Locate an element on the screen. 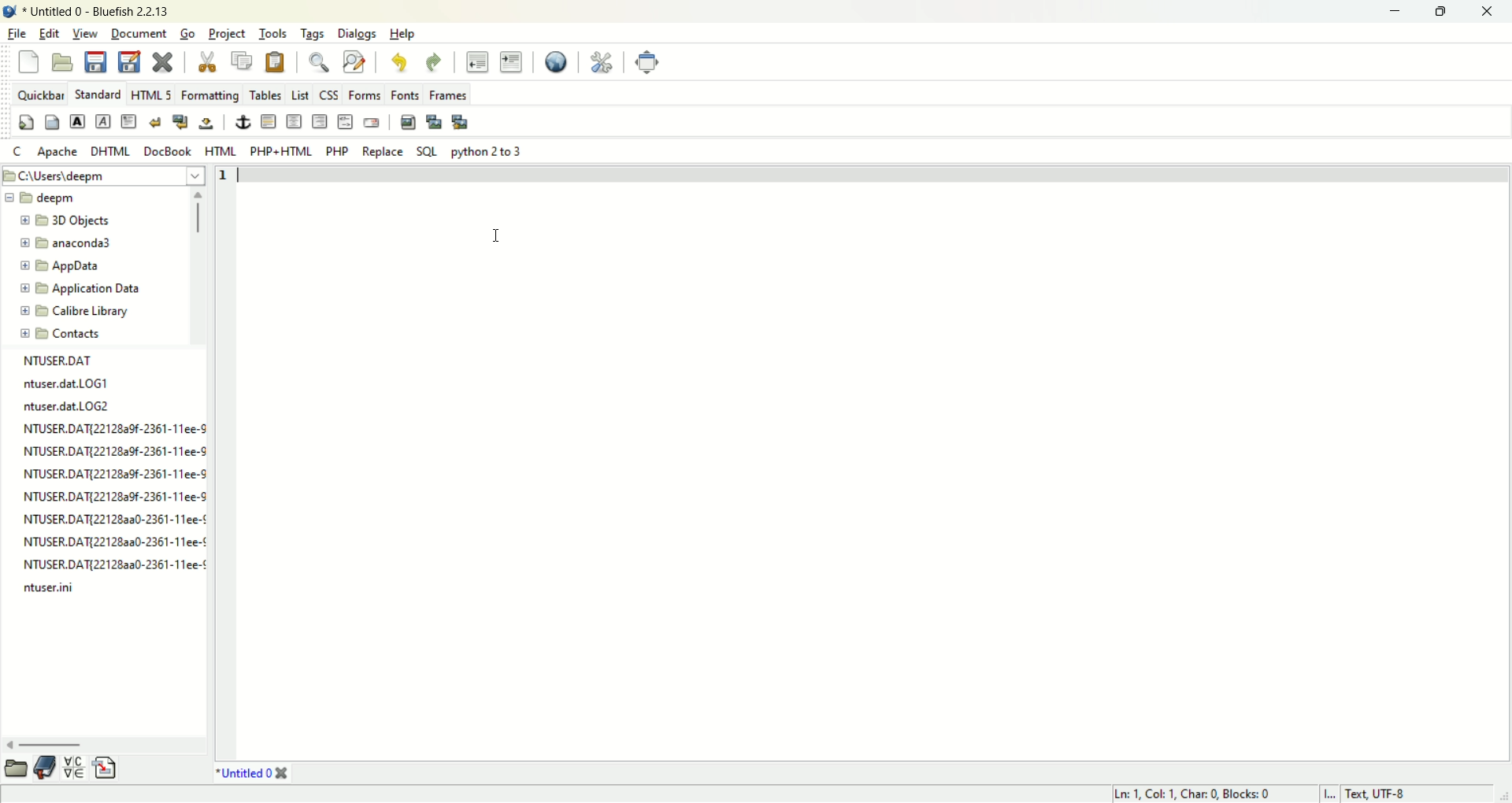  edit preferences is located at coordinates (606, 62).